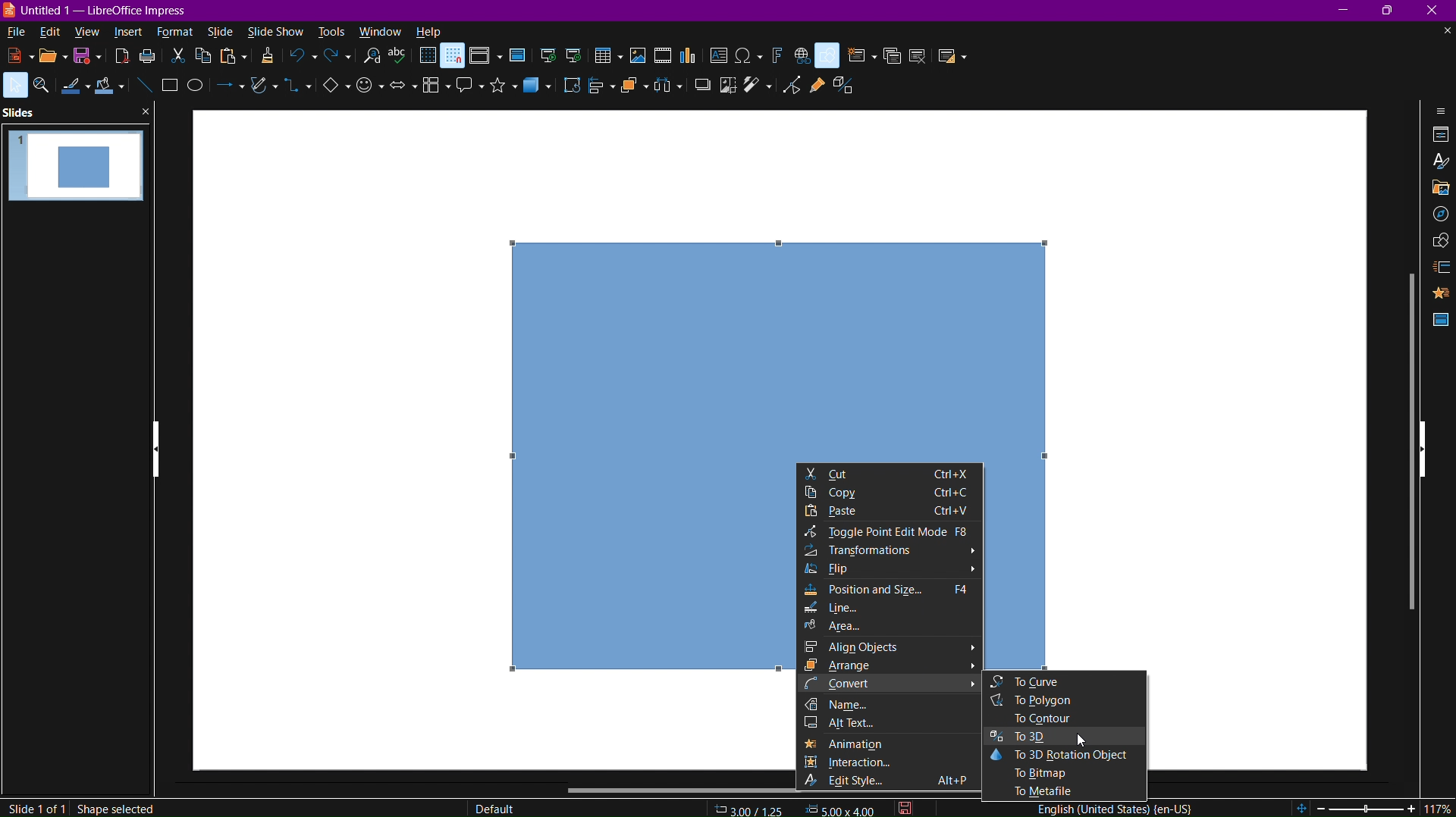 The height and width of the screenshot is (817, 1456). I want to click on To Polygon, so click(1064, 700).